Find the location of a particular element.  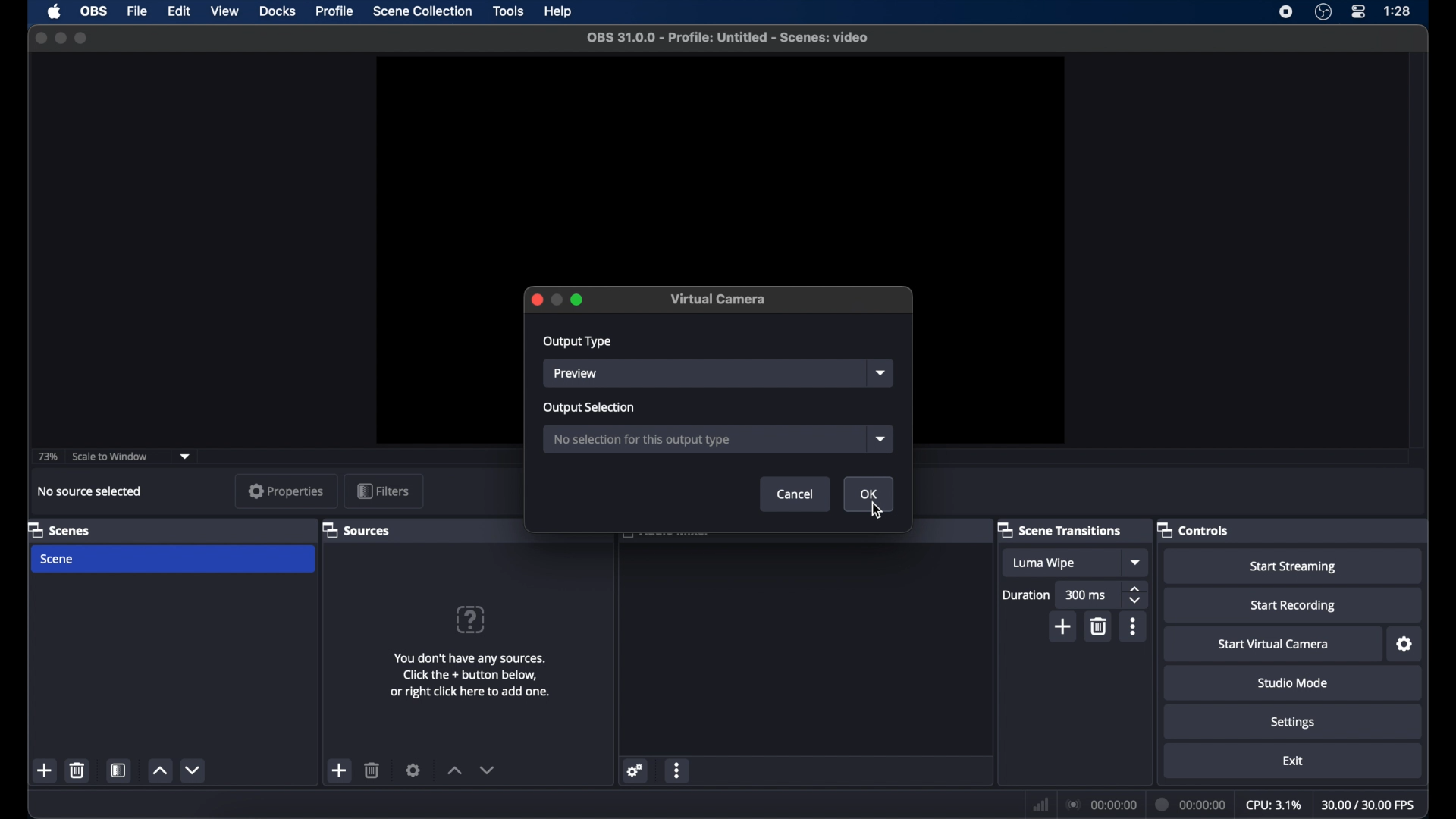

apple icon is located at coordinates (54, 12).